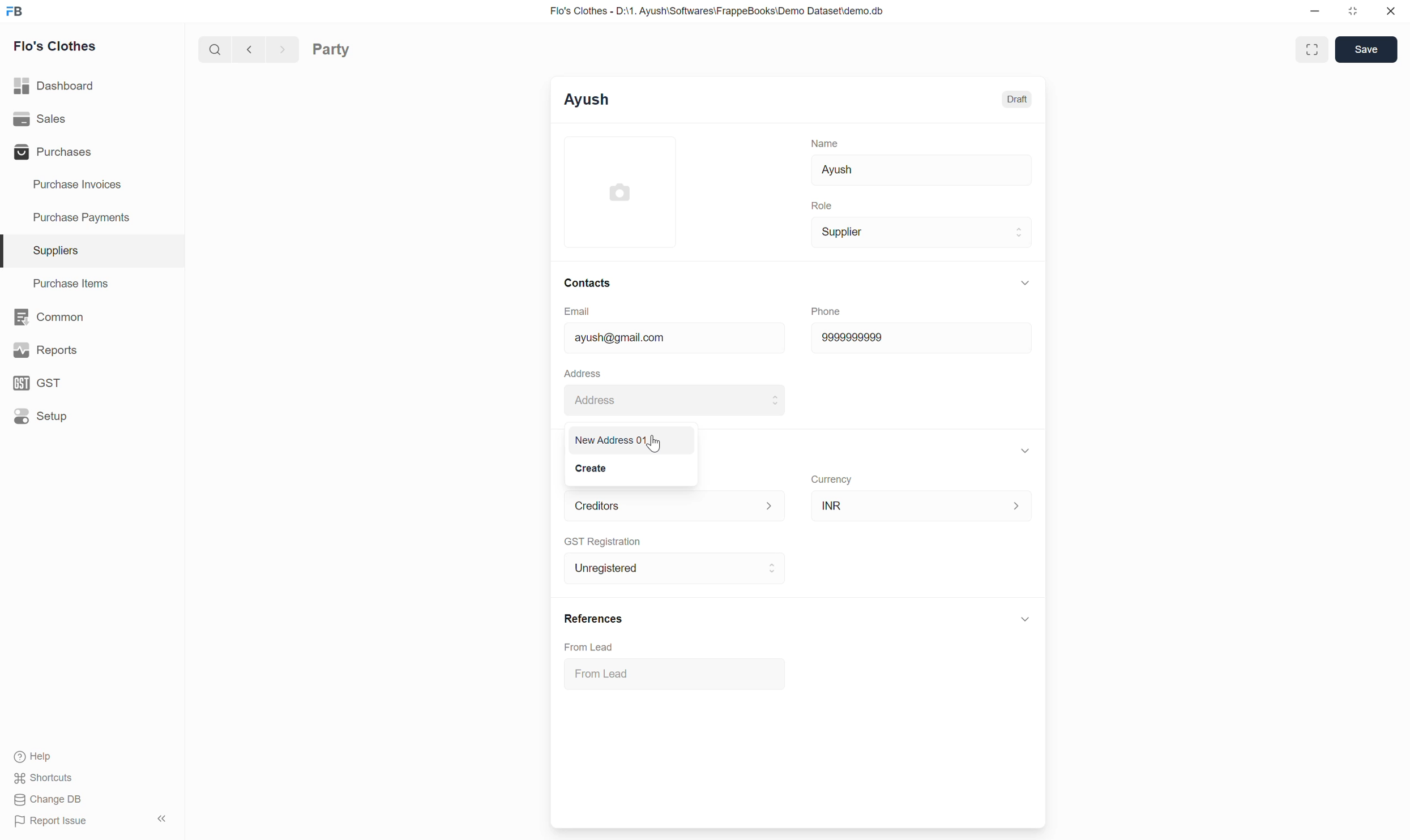  Describe the element at coordinates (331, 49) in the screenshot. I see `Party` at that location.